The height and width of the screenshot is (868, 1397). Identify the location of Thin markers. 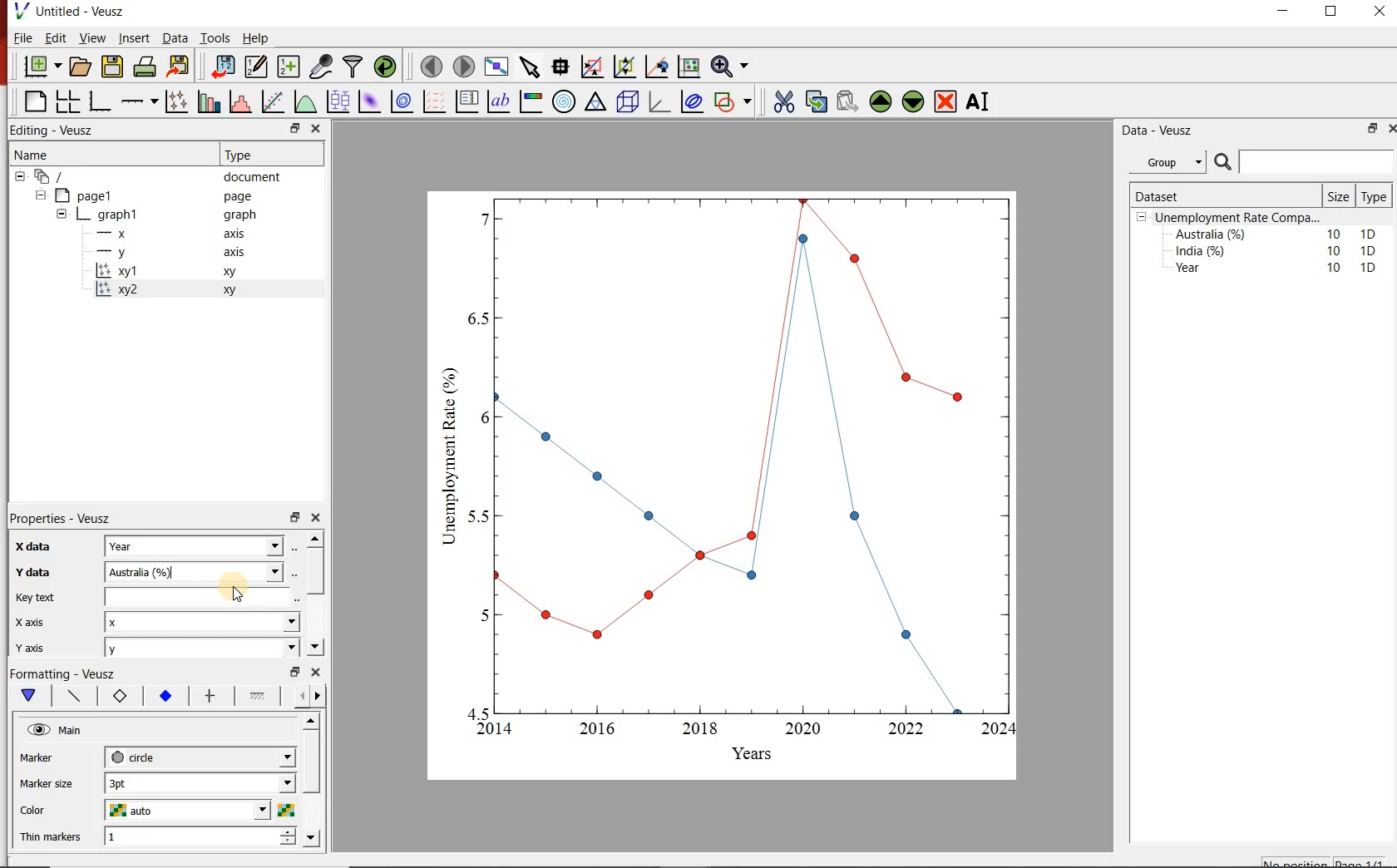
(52, 838).